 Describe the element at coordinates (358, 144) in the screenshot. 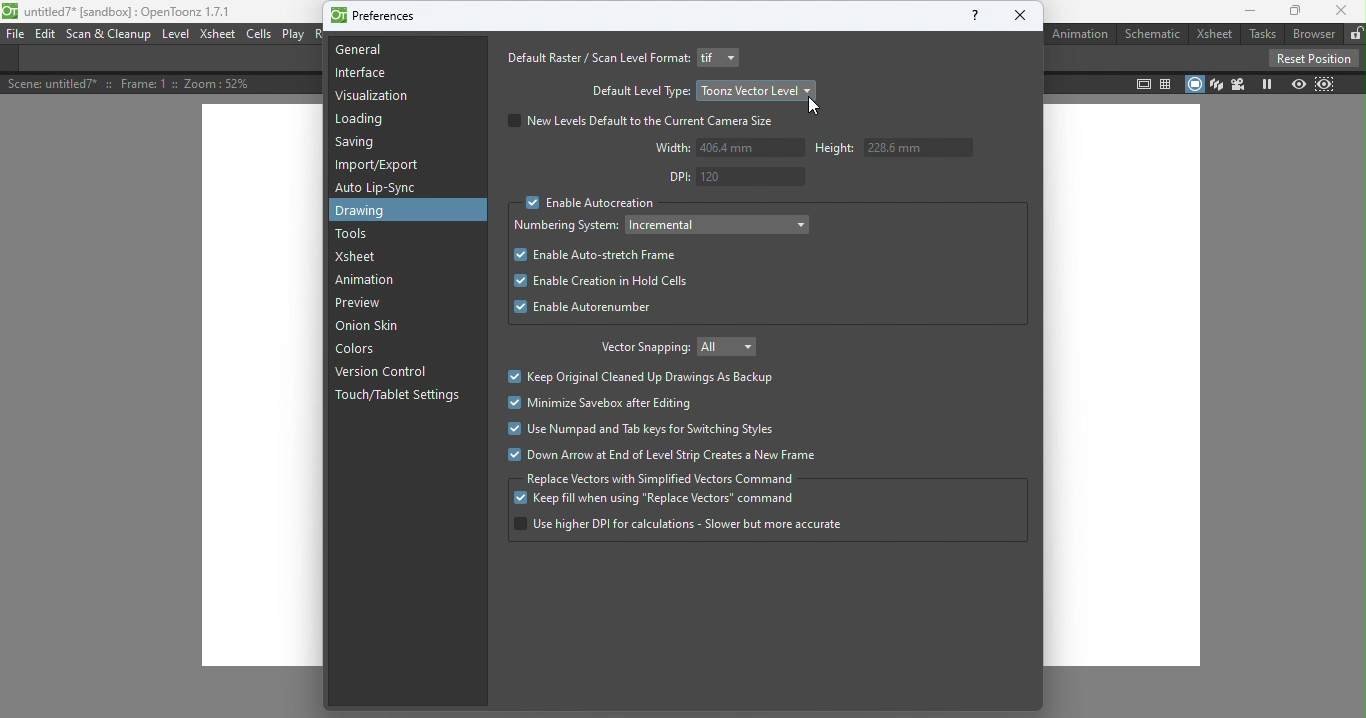

I see `Saving` at that location.